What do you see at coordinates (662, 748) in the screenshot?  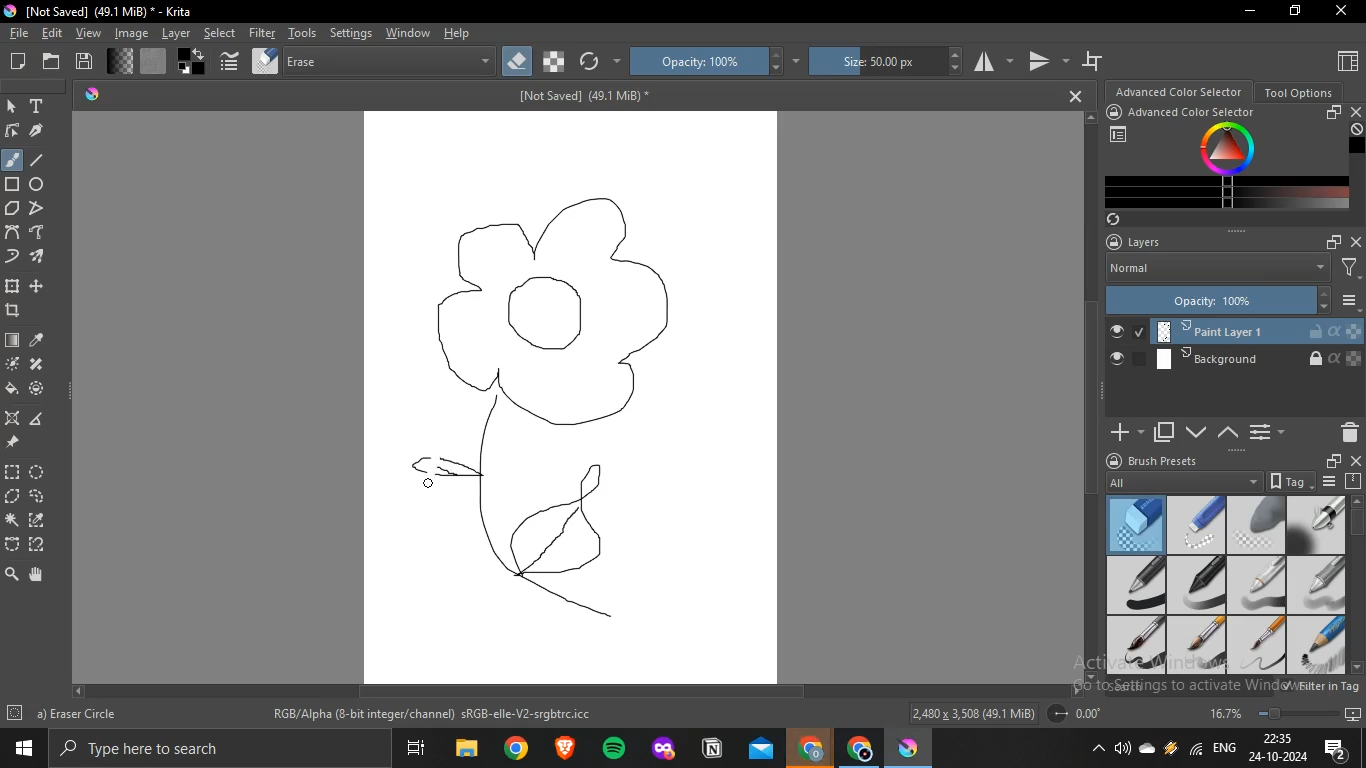 I see `Application` at bounding box center [662, 748].